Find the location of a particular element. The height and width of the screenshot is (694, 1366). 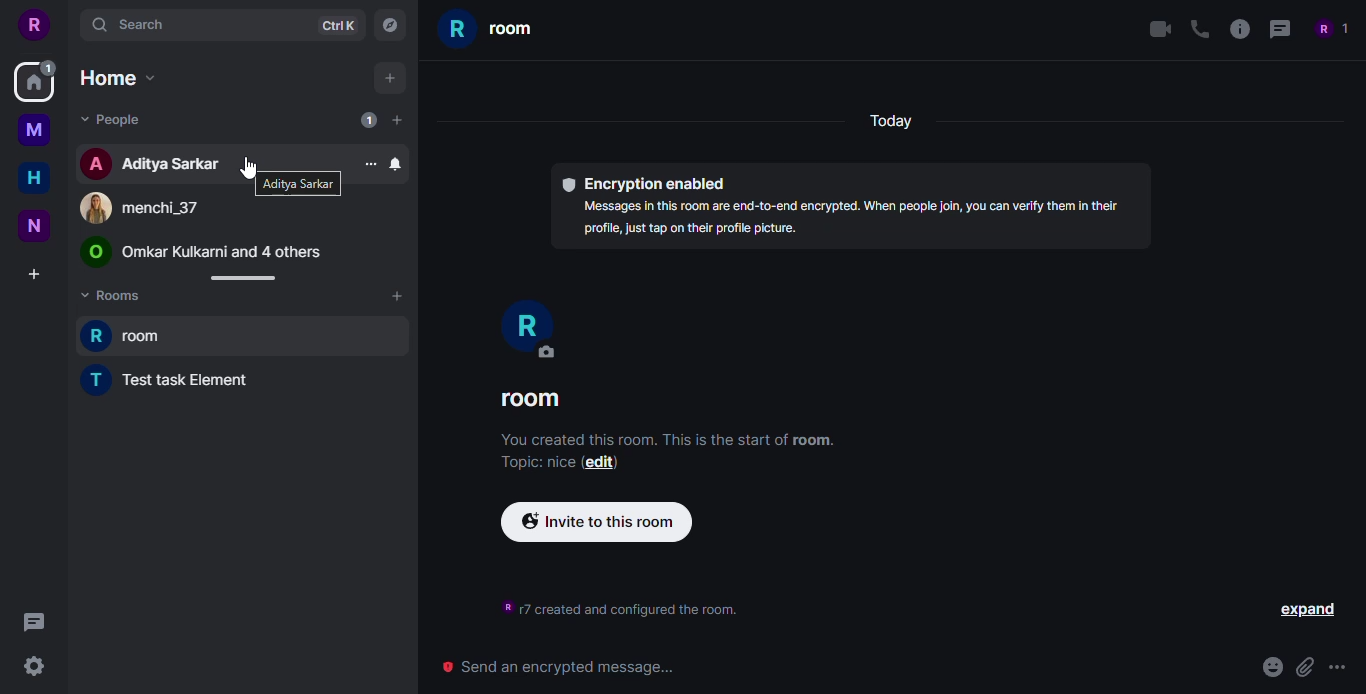

edit is located at coordinates (601, 463).